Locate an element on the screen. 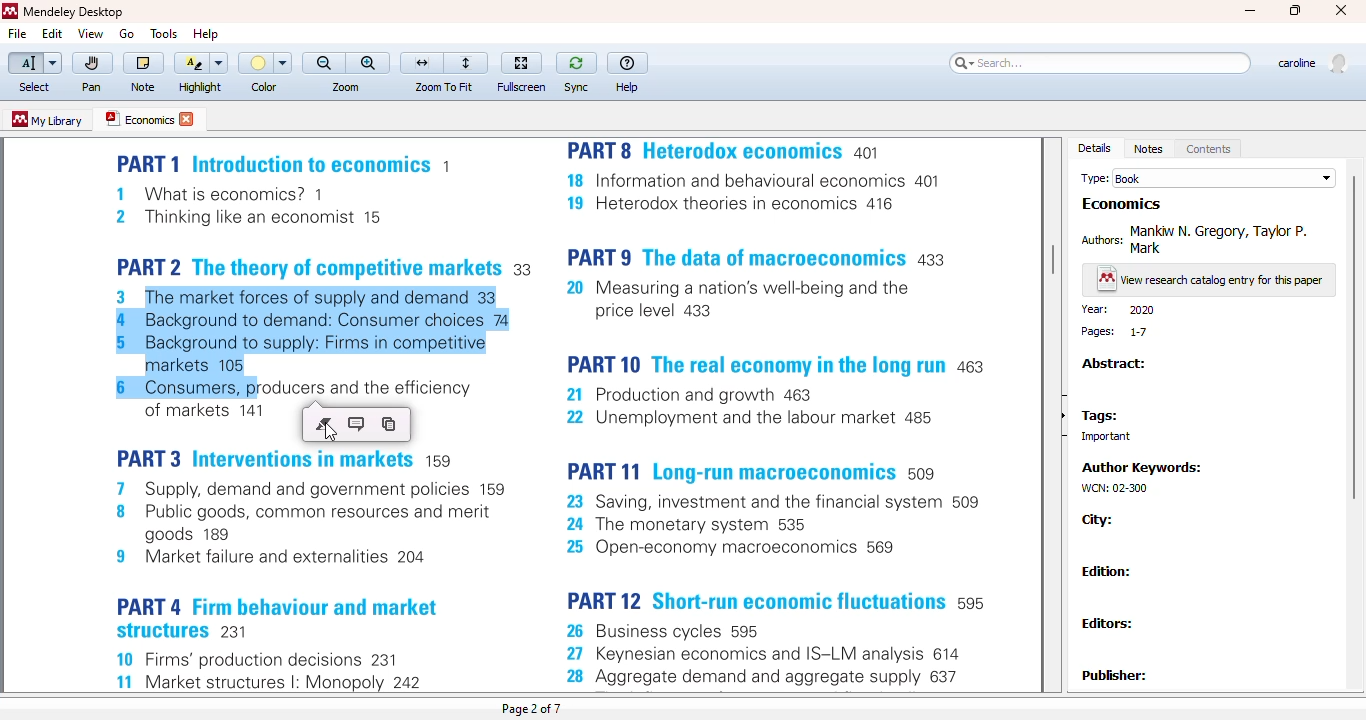 The width and height of the screenshot is (1366, 720). details is located at coordinates (1095, 148).